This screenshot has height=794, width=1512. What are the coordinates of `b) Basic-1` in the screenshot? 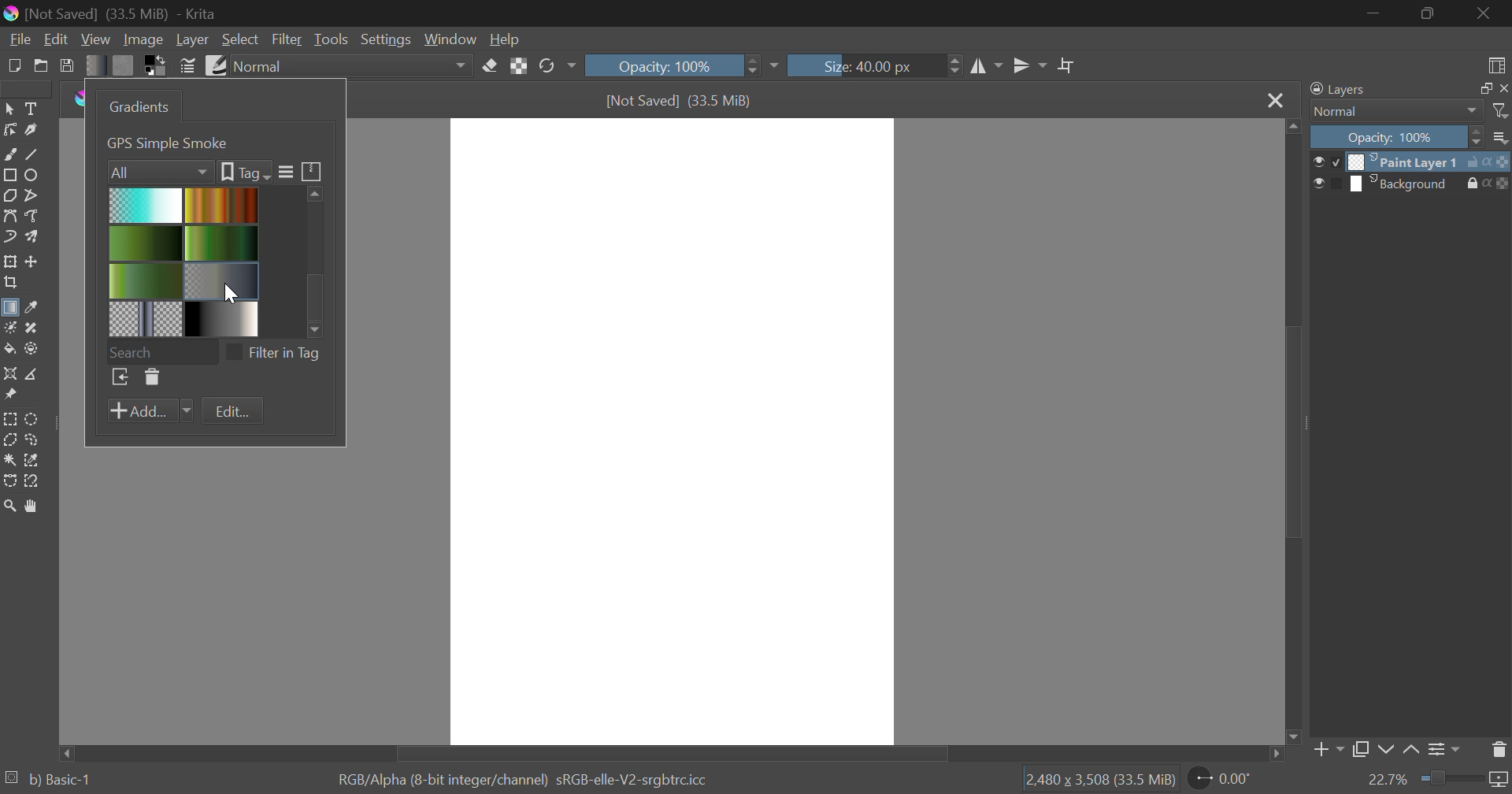 It's located at (49, 781).